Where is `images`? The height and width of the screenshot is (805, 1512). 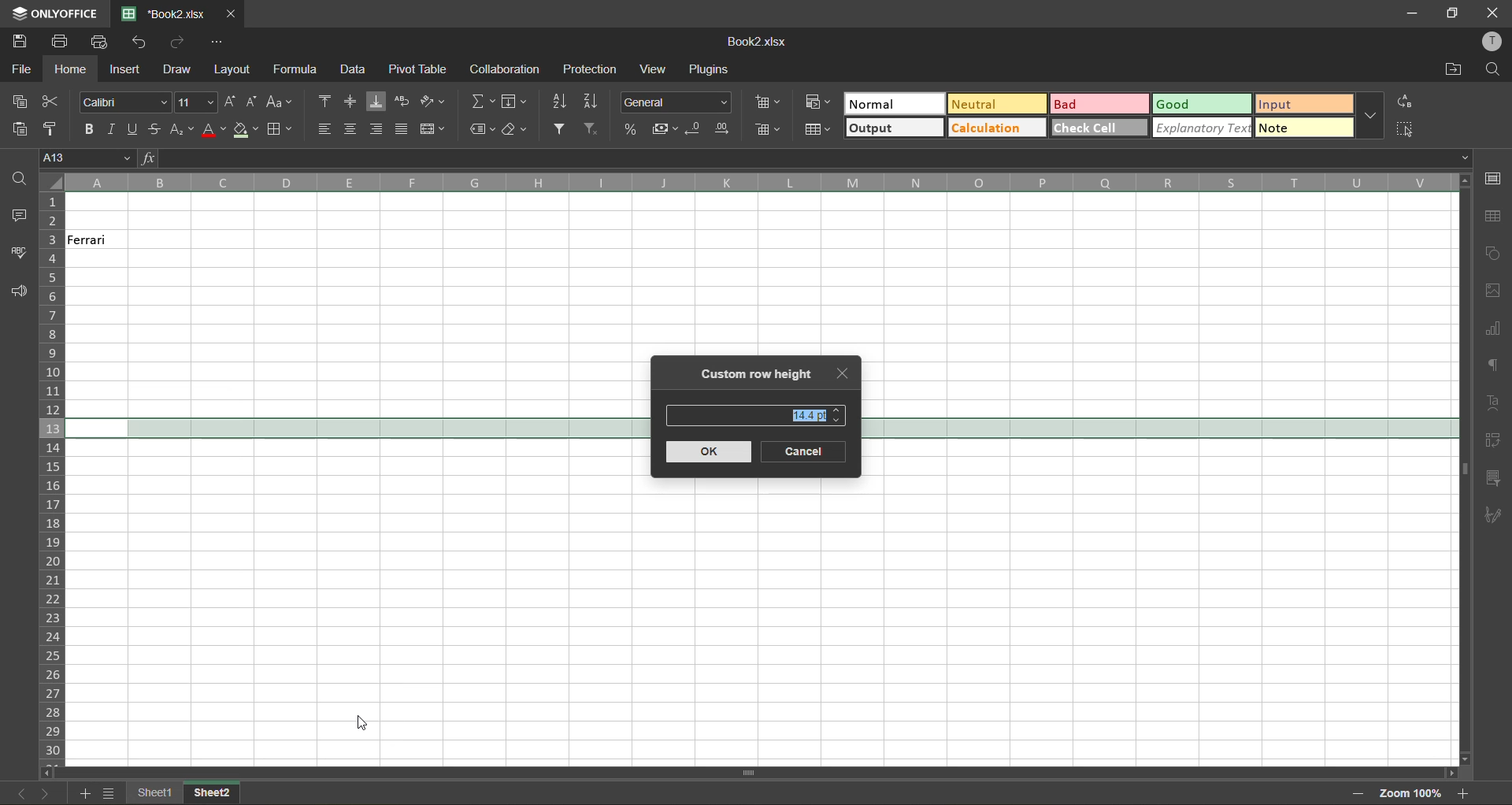
images is located at coordinates (1494, 294).